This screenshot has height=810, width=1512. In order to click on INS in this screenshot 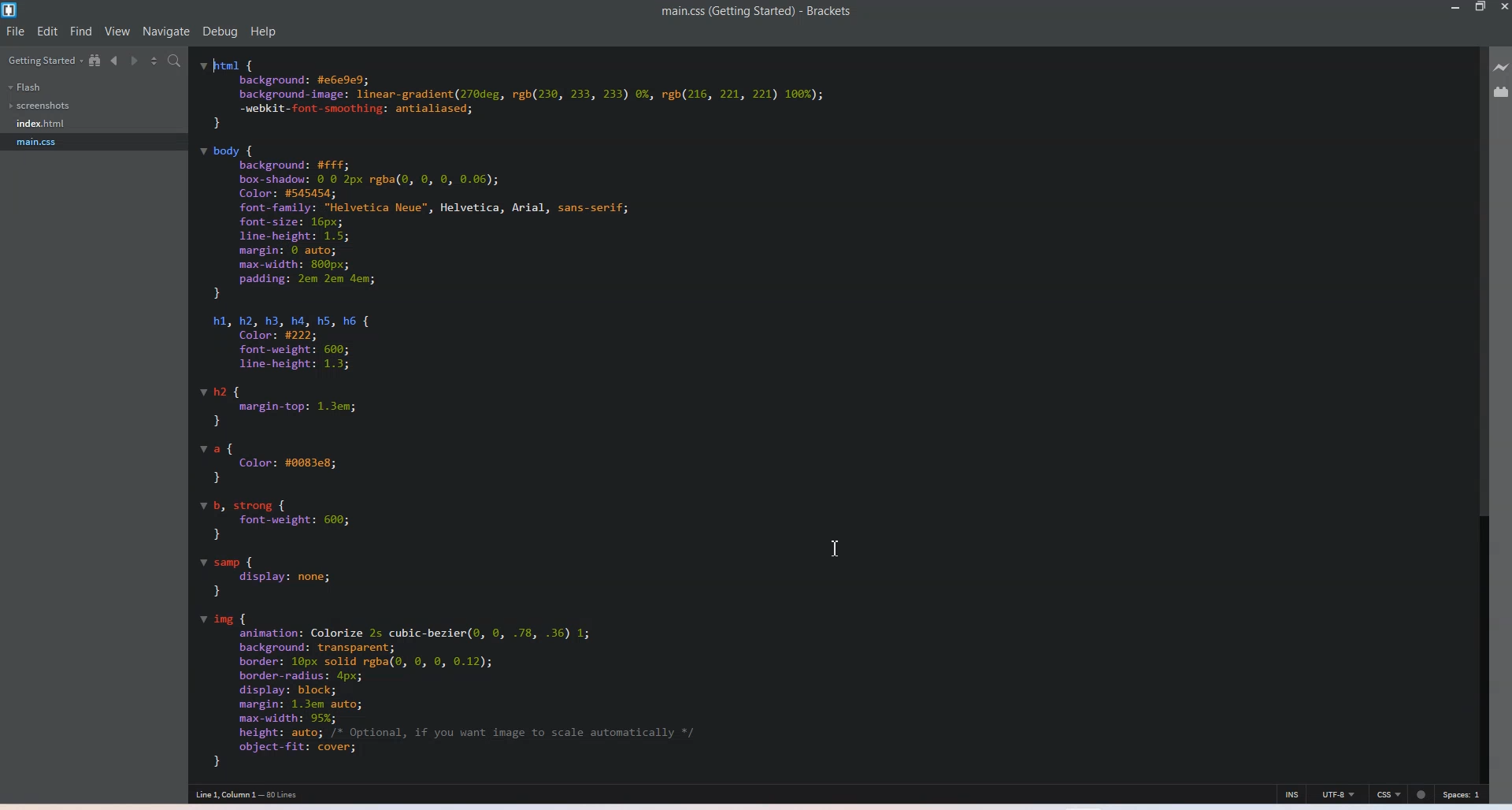, I will do `click(1292, 793)`.